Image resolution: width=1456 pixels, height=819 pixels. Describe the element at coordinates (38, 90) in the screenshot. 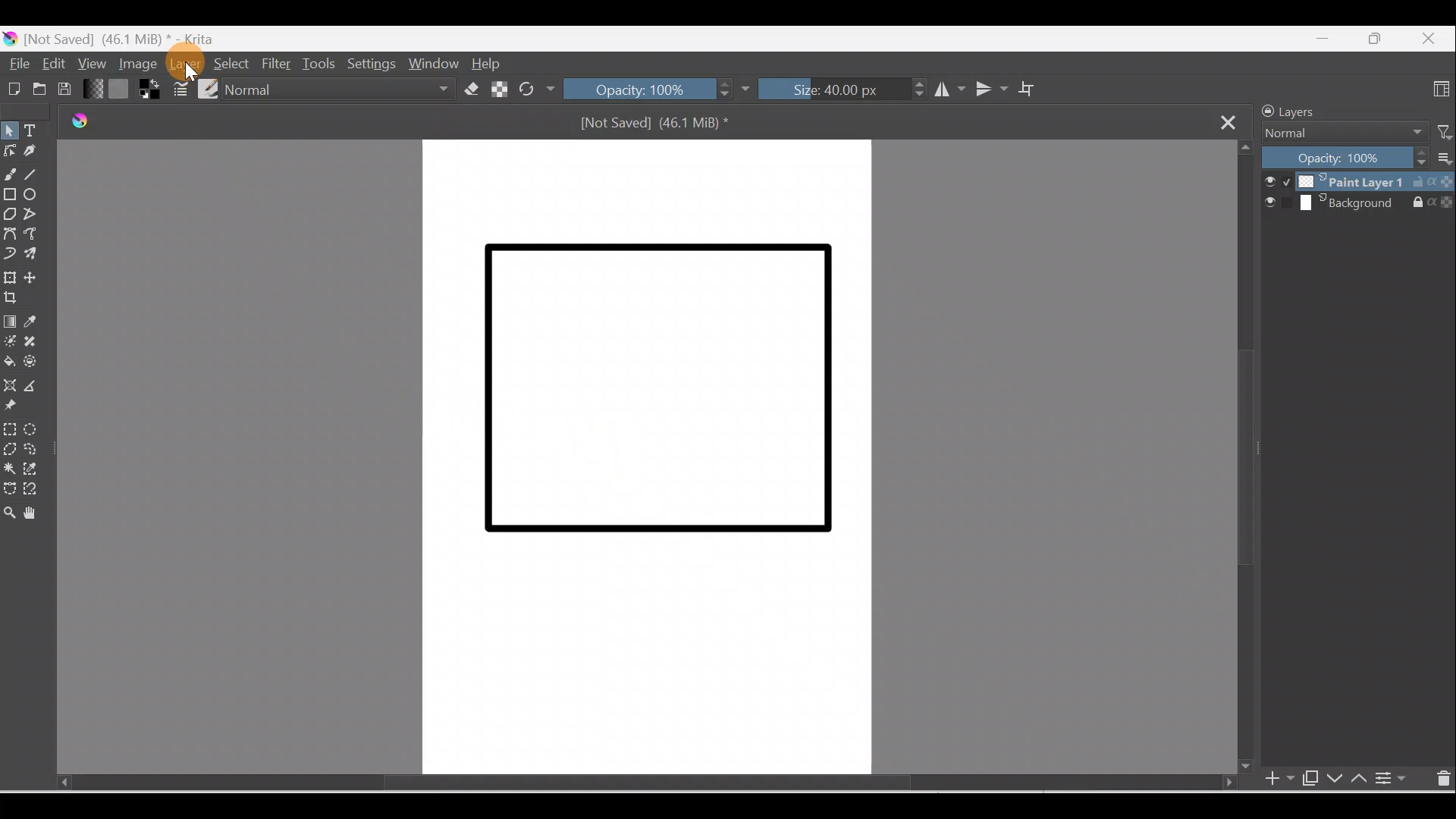

I see `Open existing document` at that location.